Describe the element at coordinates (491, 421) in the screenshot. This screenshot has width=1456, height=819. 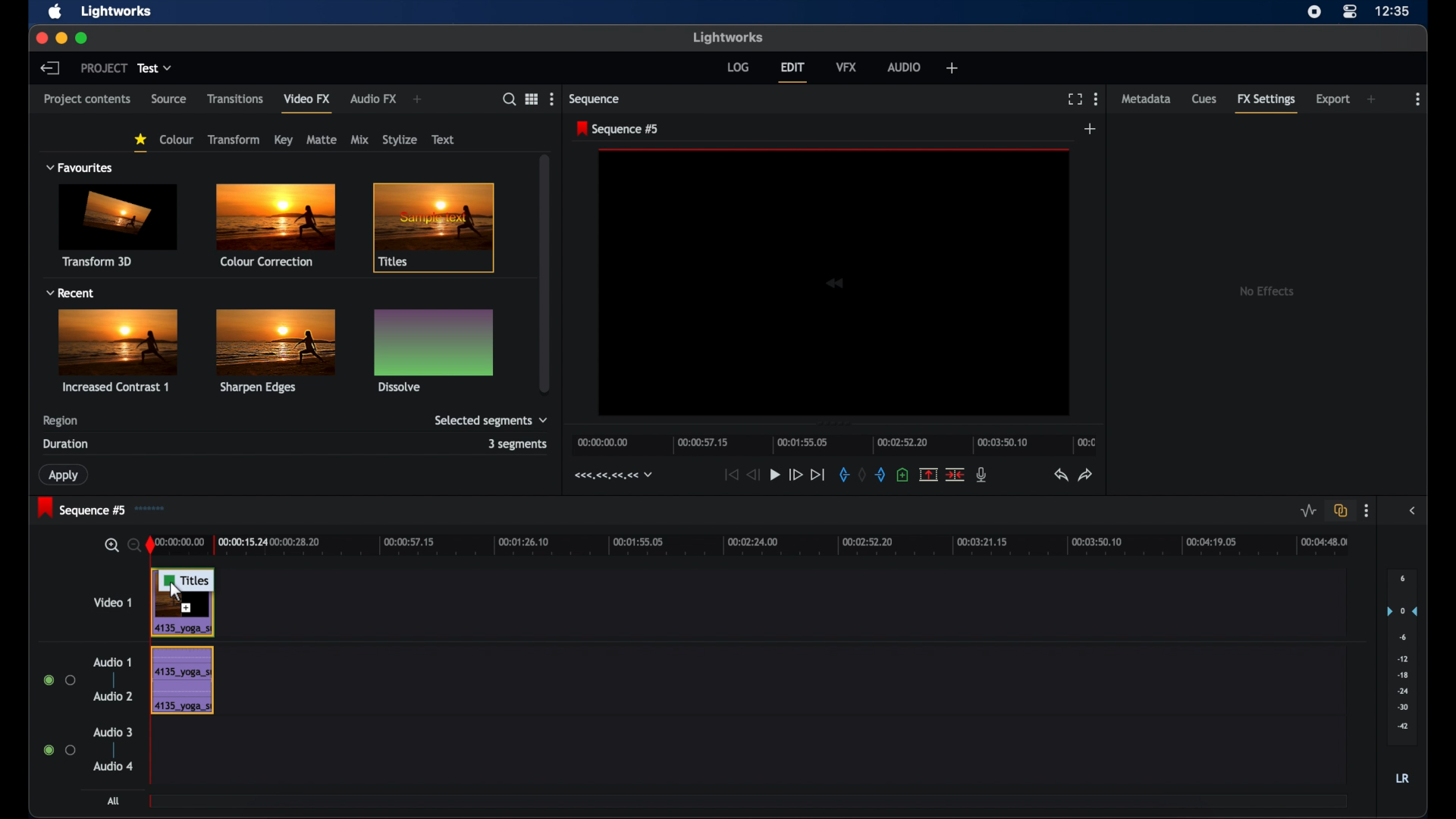
I see `selected segments` at that location.